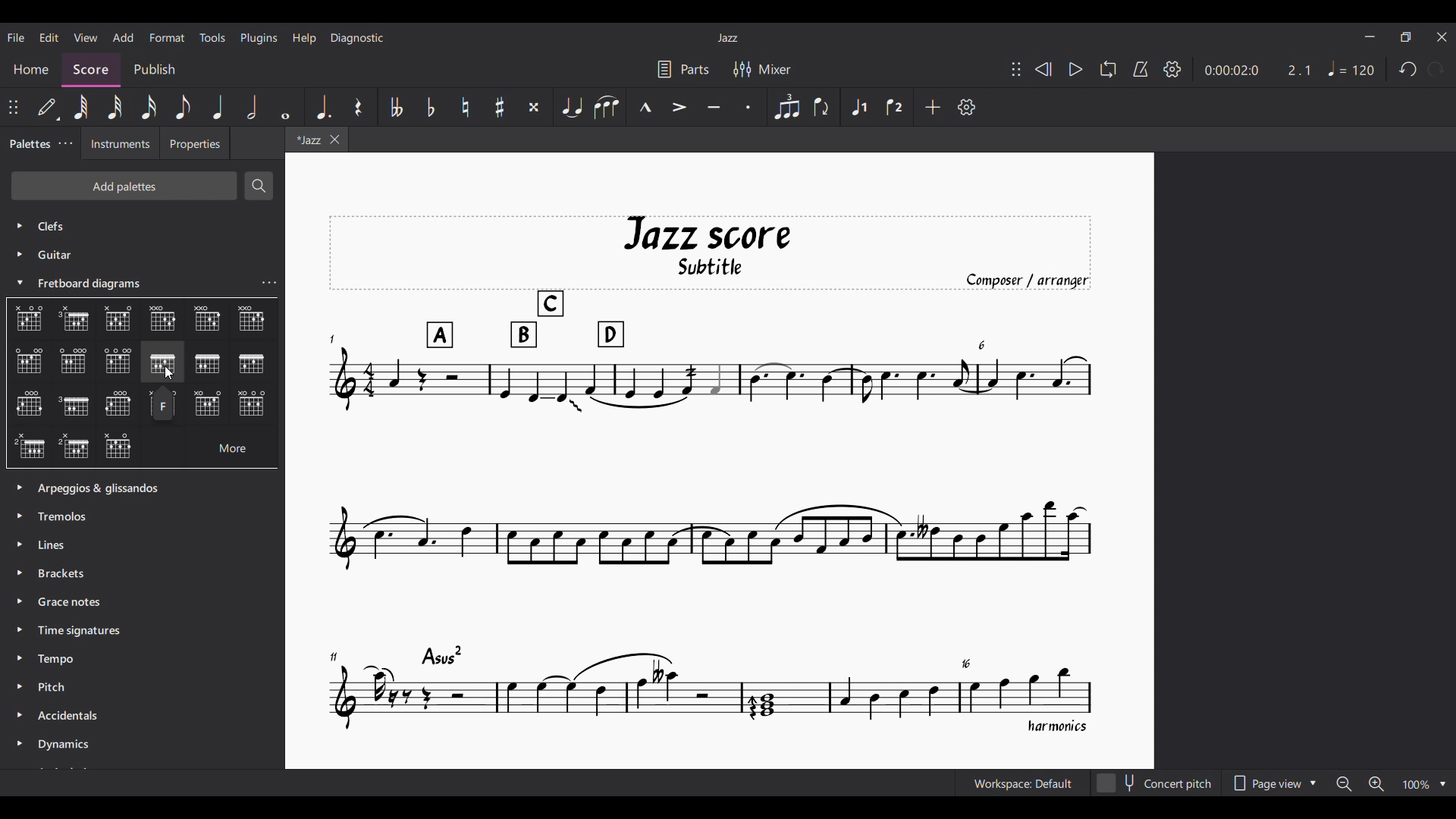 Image resolution: width=1456 pixels, height=819 pixels. What do you see at coordinates (167, 38) in the screenshot?
I see `Format menu` at bounding box center [167, 38].